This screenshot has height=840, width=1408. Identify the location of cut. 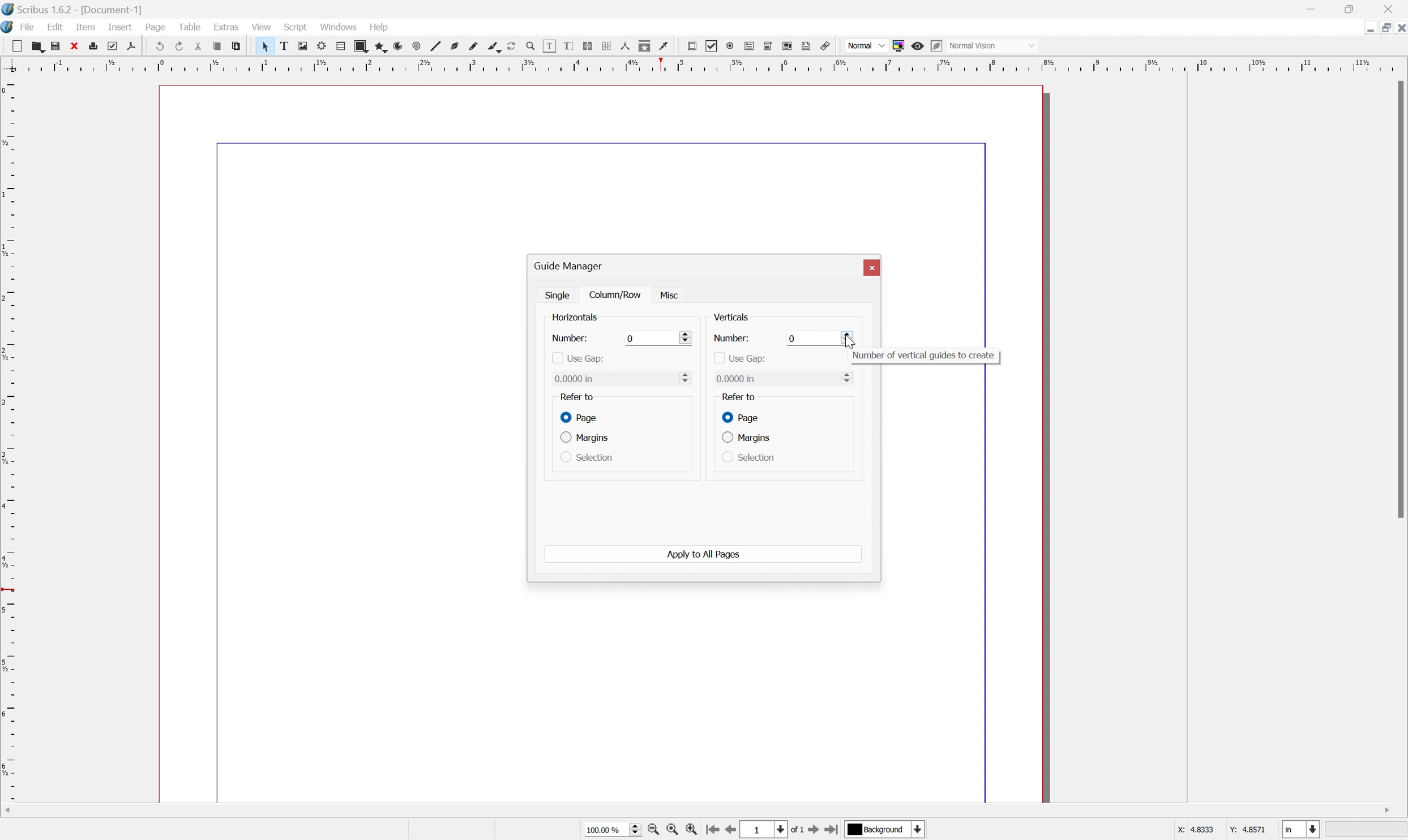
(198, 45).